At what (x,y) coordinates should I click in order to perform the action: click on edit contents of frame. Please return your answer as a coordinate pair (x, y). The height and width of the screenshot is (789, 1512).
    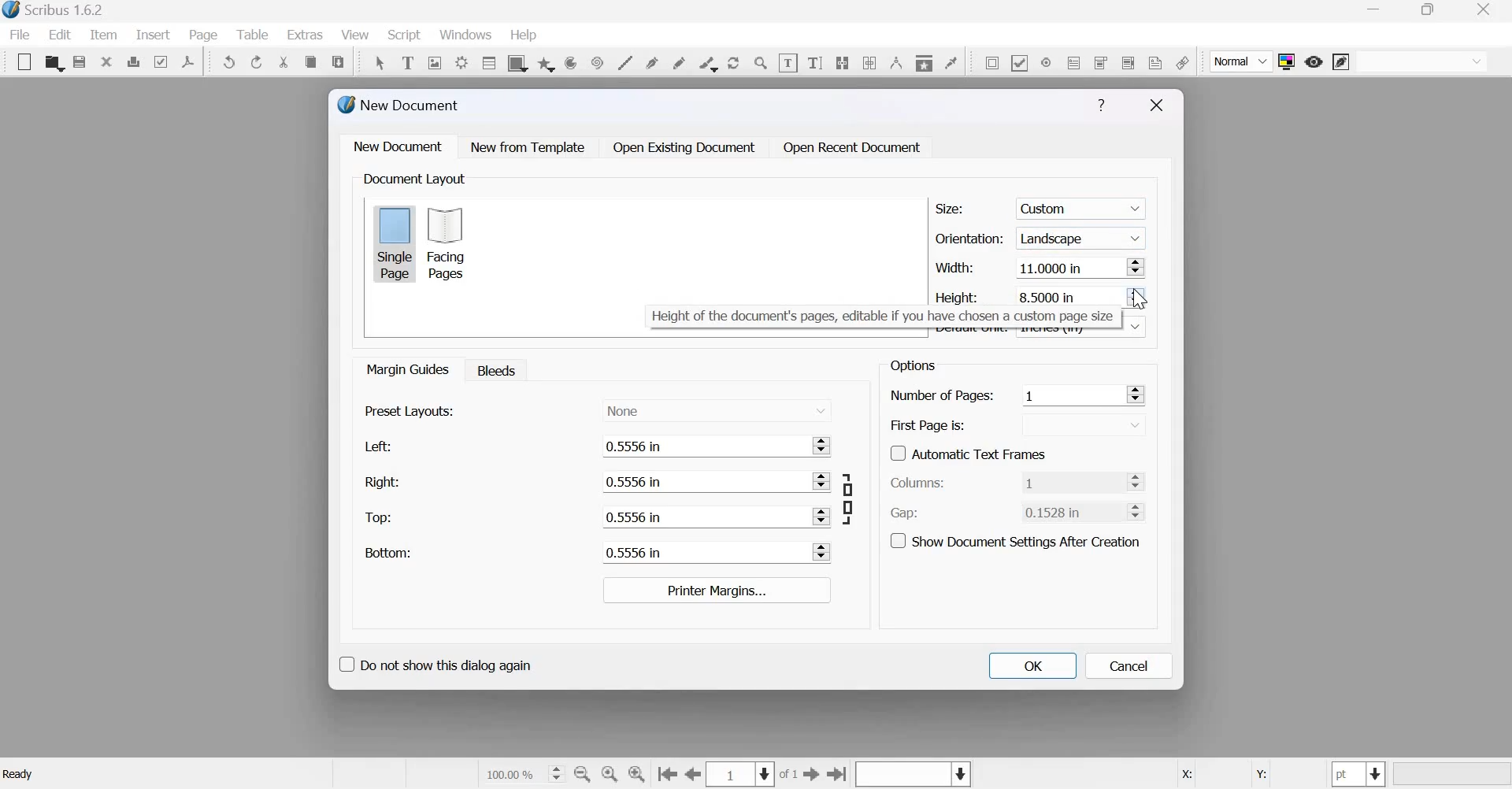
    Looking at the image, I should click on (787, 62).